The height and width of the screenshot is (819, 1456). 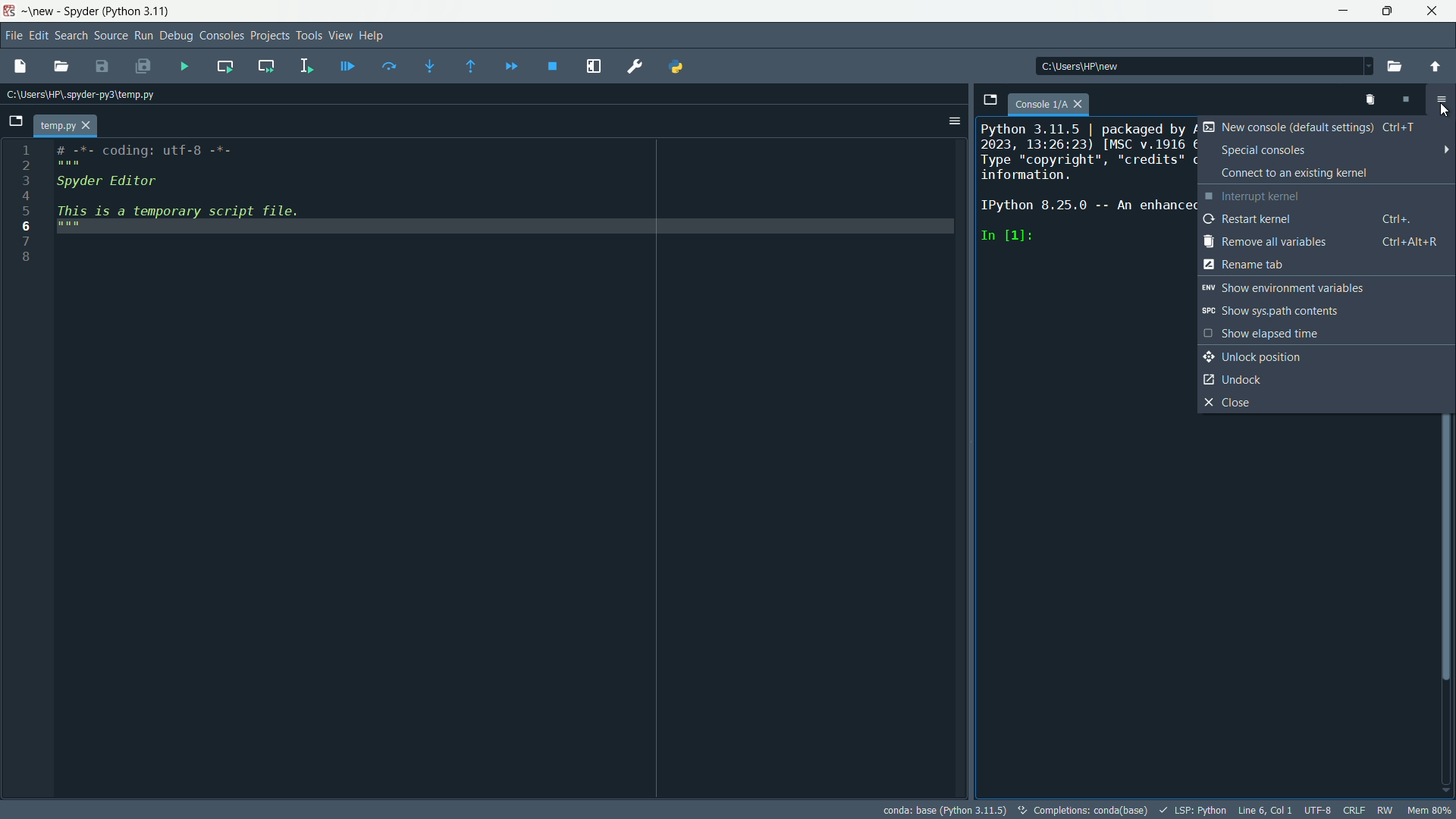 What do you see at coordinates (177, 36) in the screenshot?
I see `debug menu` at bounding box center [177, 36].